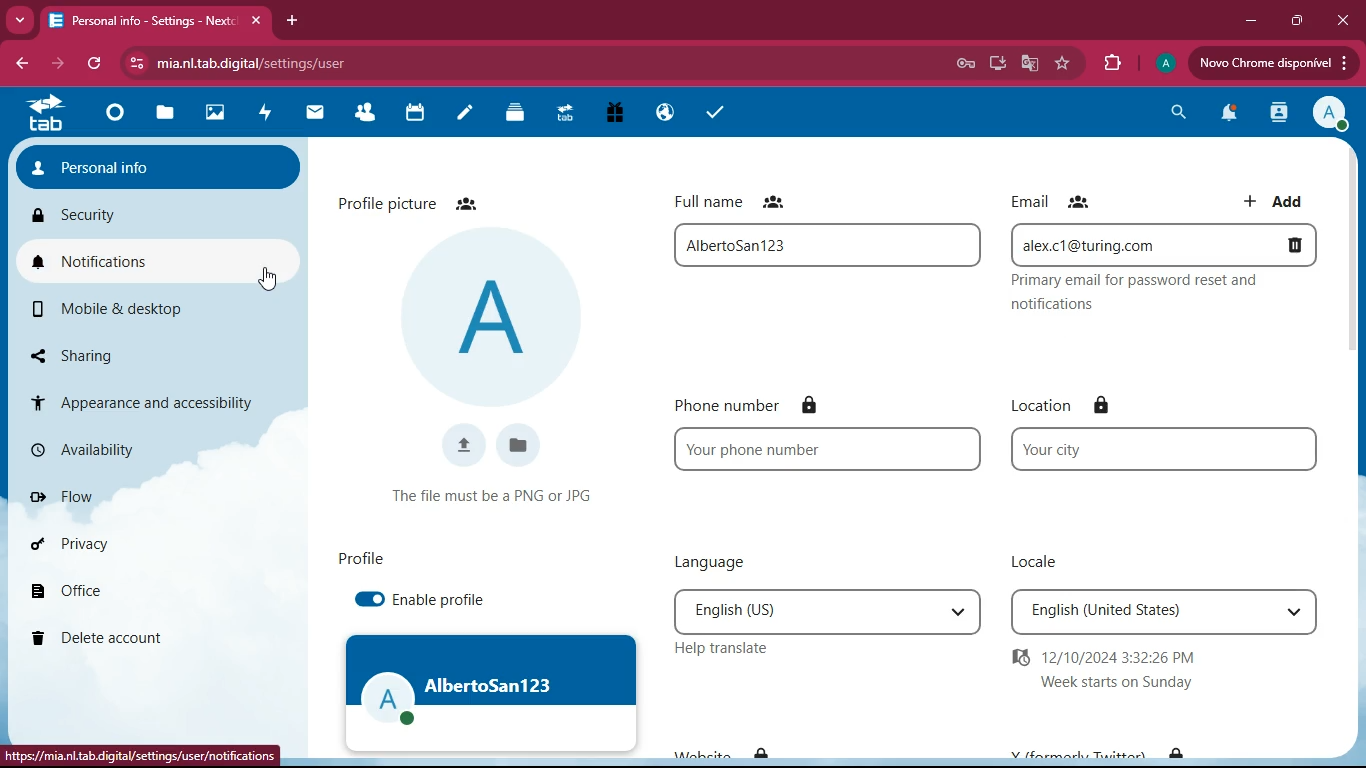 The image size is (1366, 768). What do you see at coordinates (215, 115) in the screenshot?
I see `images` at bounding box center [215, 115].